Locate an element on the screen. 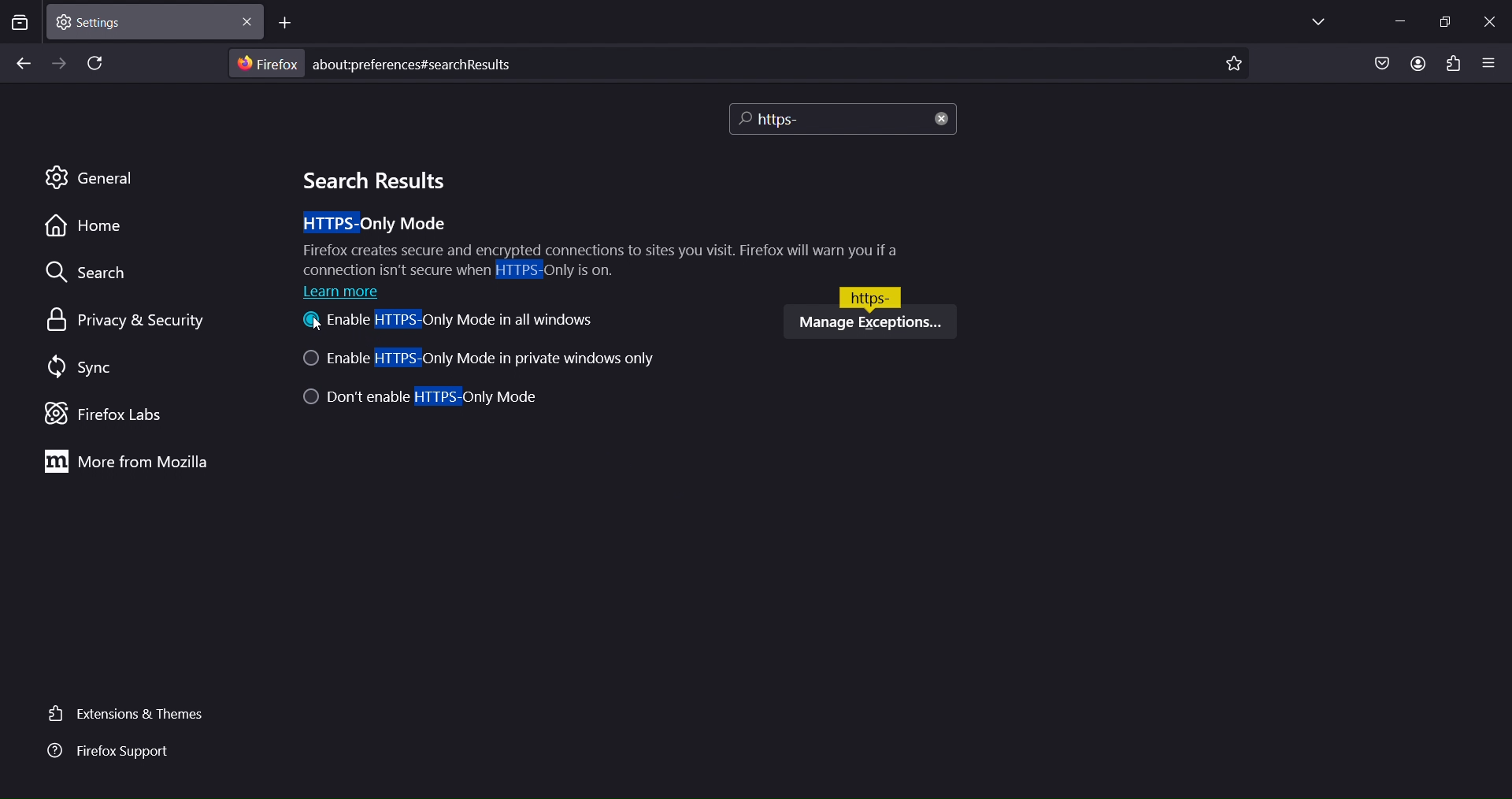 The height and width of the screenshot is (799, 1512). minimze is located at coordinates (1404, 22).